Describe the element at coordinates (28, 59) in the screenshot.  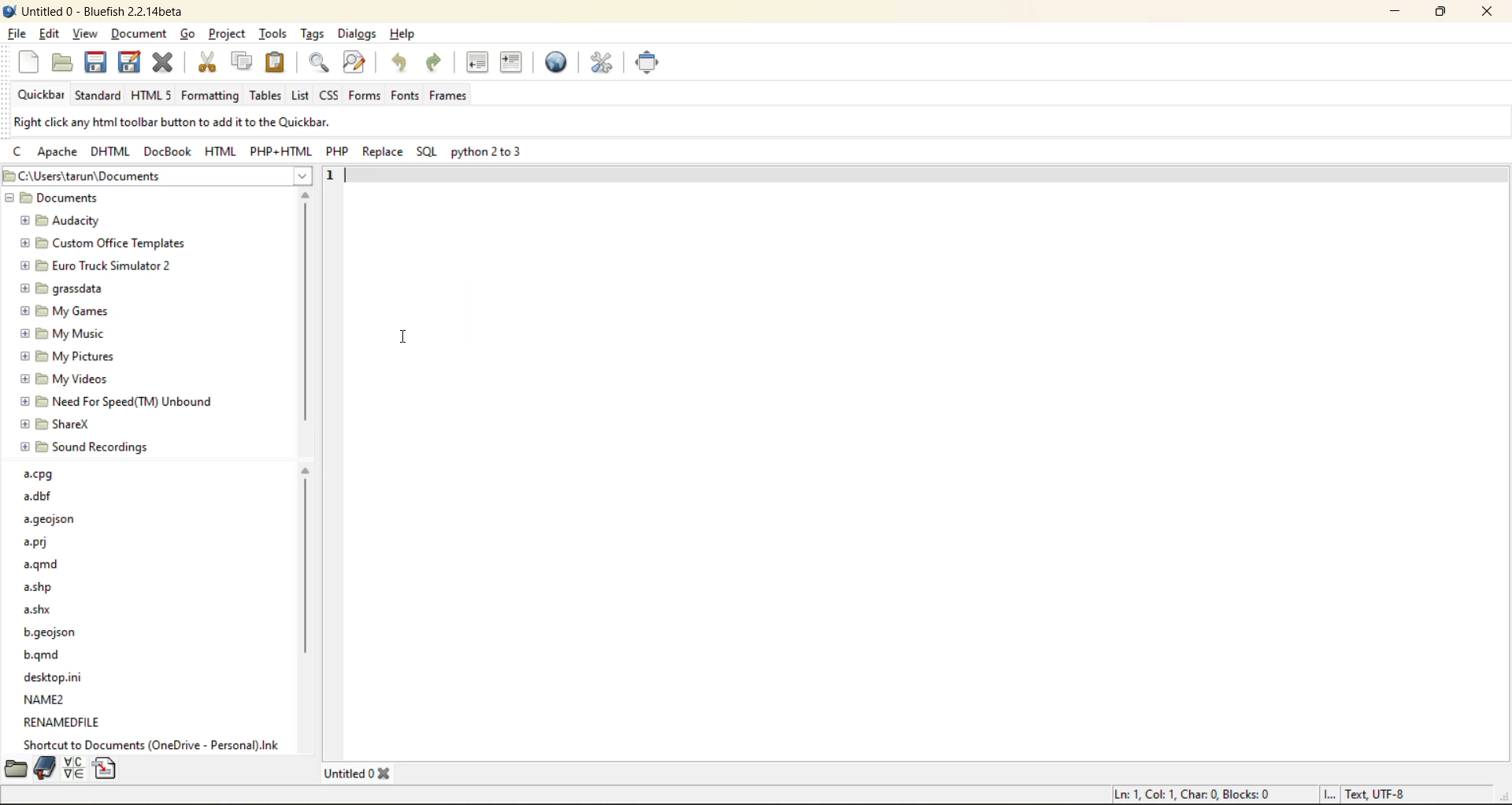
I see `new` at that location.